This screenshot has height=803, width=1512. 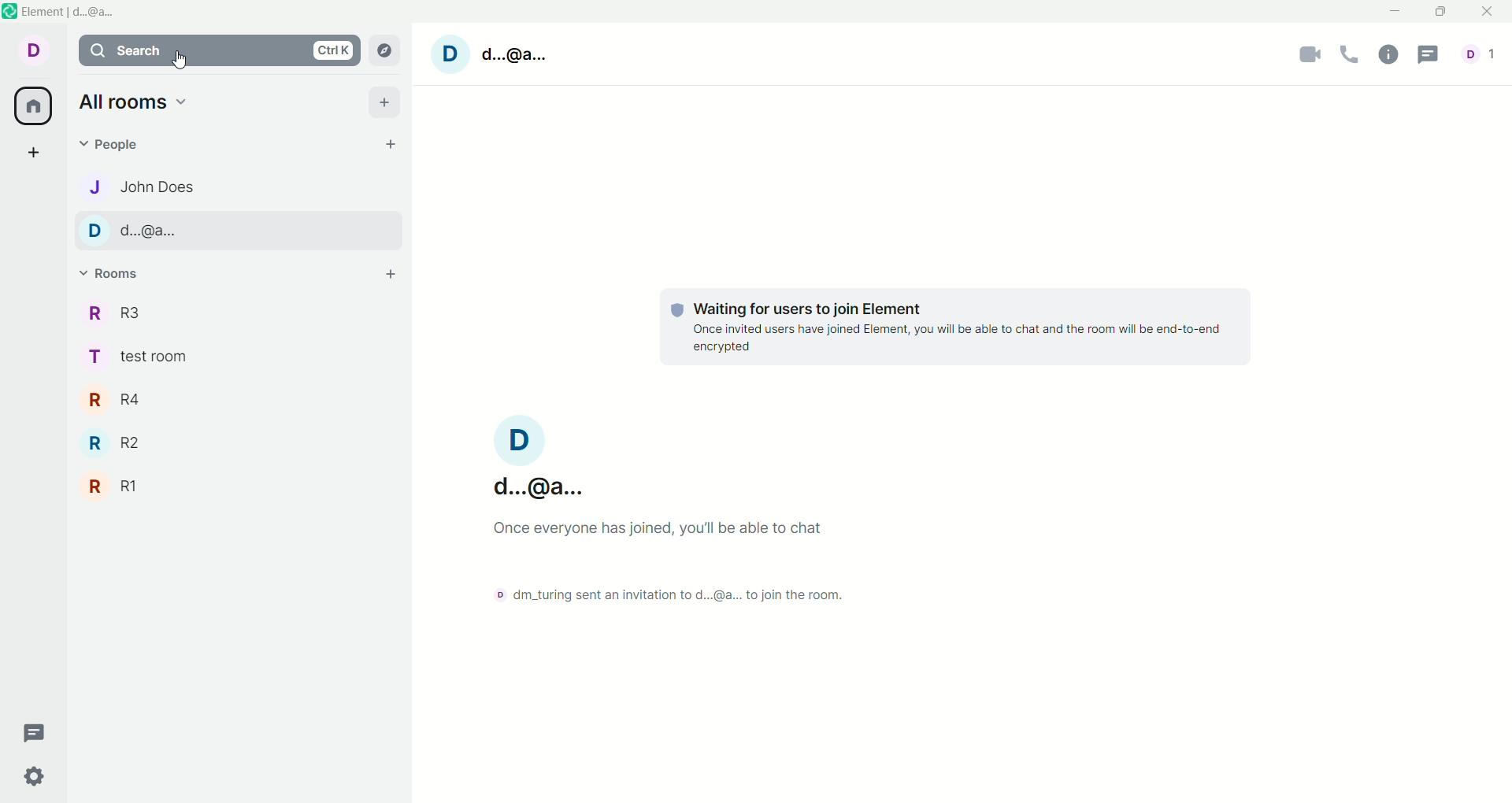 What do you see at coordinates (956, 338) in the screenshot?
I see `Once invited users have joined Element, you will be able to chat and the room will be end-to-end encrypted` at bounding box center [956, 338].